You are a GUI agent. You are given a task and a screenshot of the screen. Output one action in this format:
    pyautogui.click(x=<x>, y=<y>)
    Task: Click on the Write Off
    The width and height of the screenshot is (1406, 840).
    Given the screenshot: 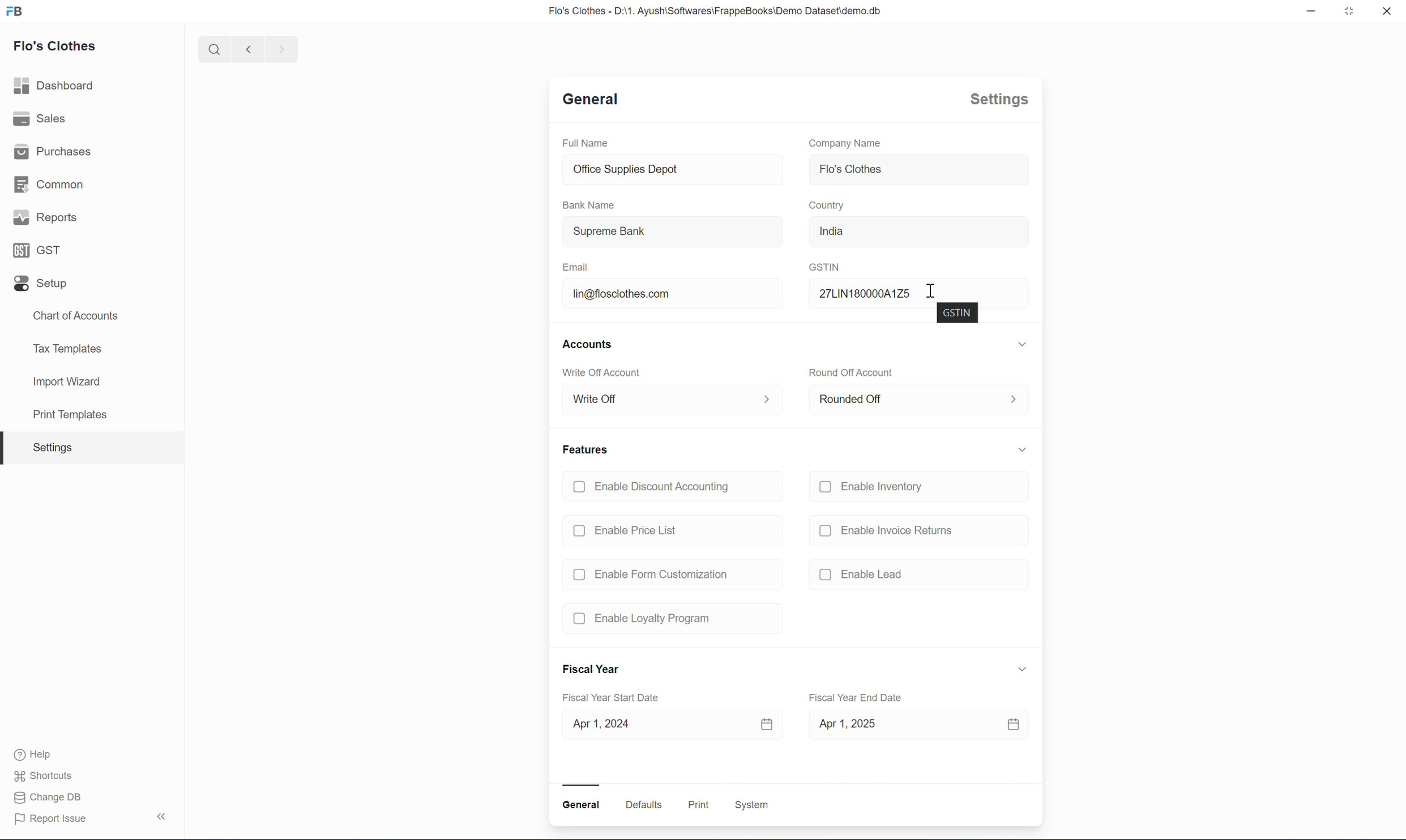 What is the action you would take?
    pyautogui.click(x=672, y=400)
    